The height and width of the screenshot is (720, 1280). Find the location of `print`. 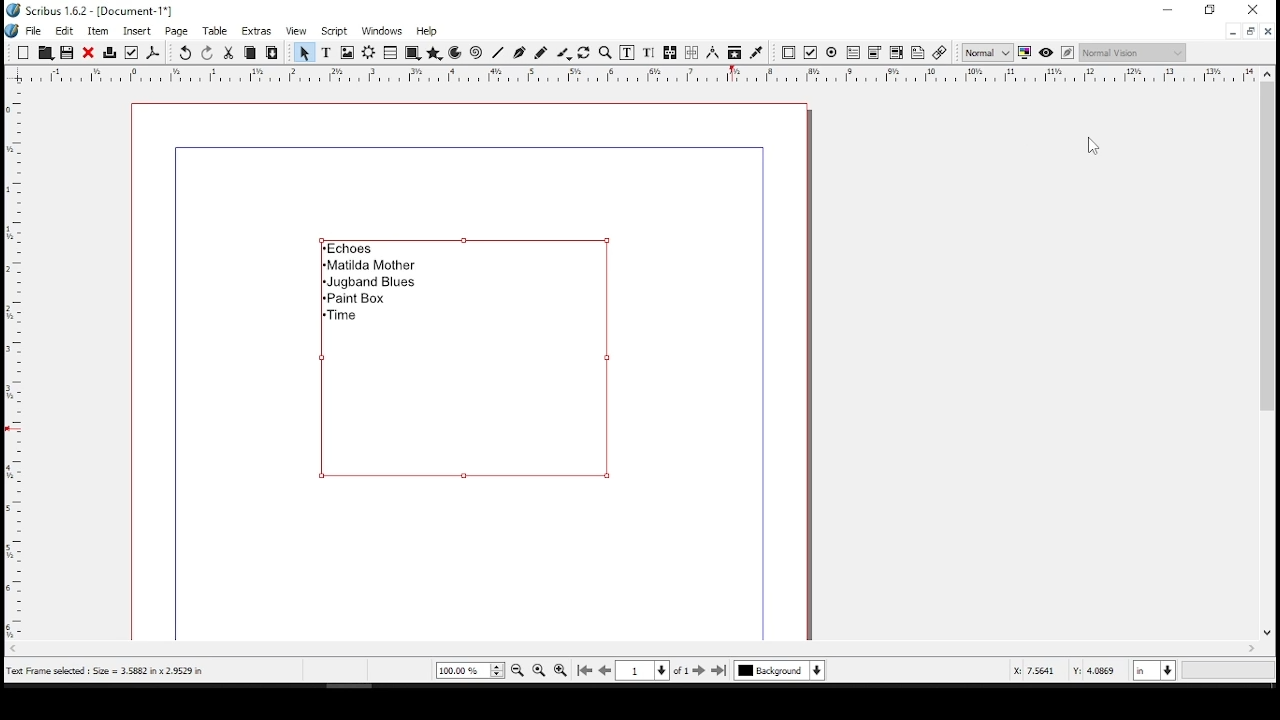

print is located at coordinates (111, 51).